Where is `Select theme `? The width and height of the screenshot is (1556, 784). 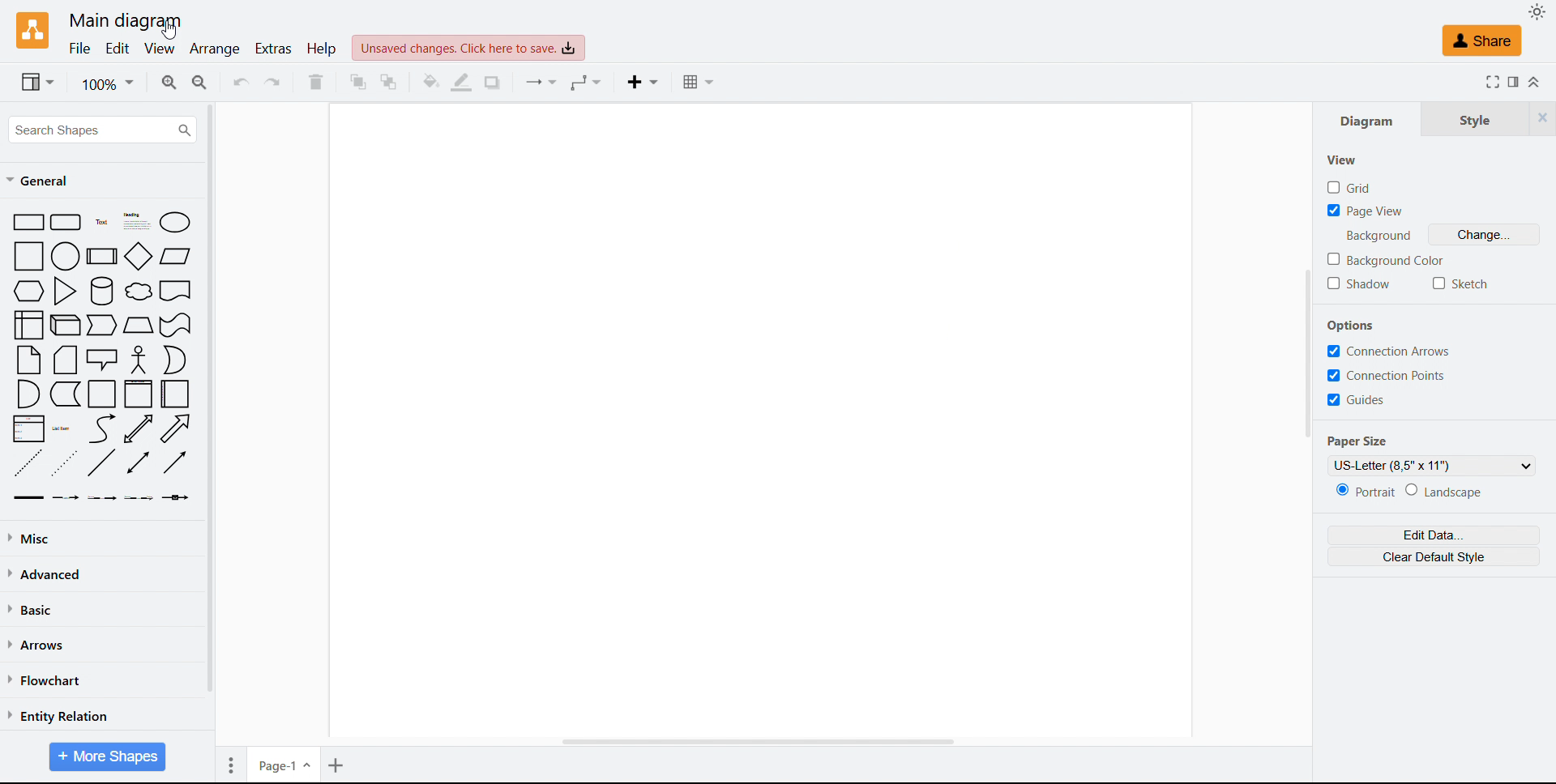
Select theme  is located at coordinates (1537, 12).